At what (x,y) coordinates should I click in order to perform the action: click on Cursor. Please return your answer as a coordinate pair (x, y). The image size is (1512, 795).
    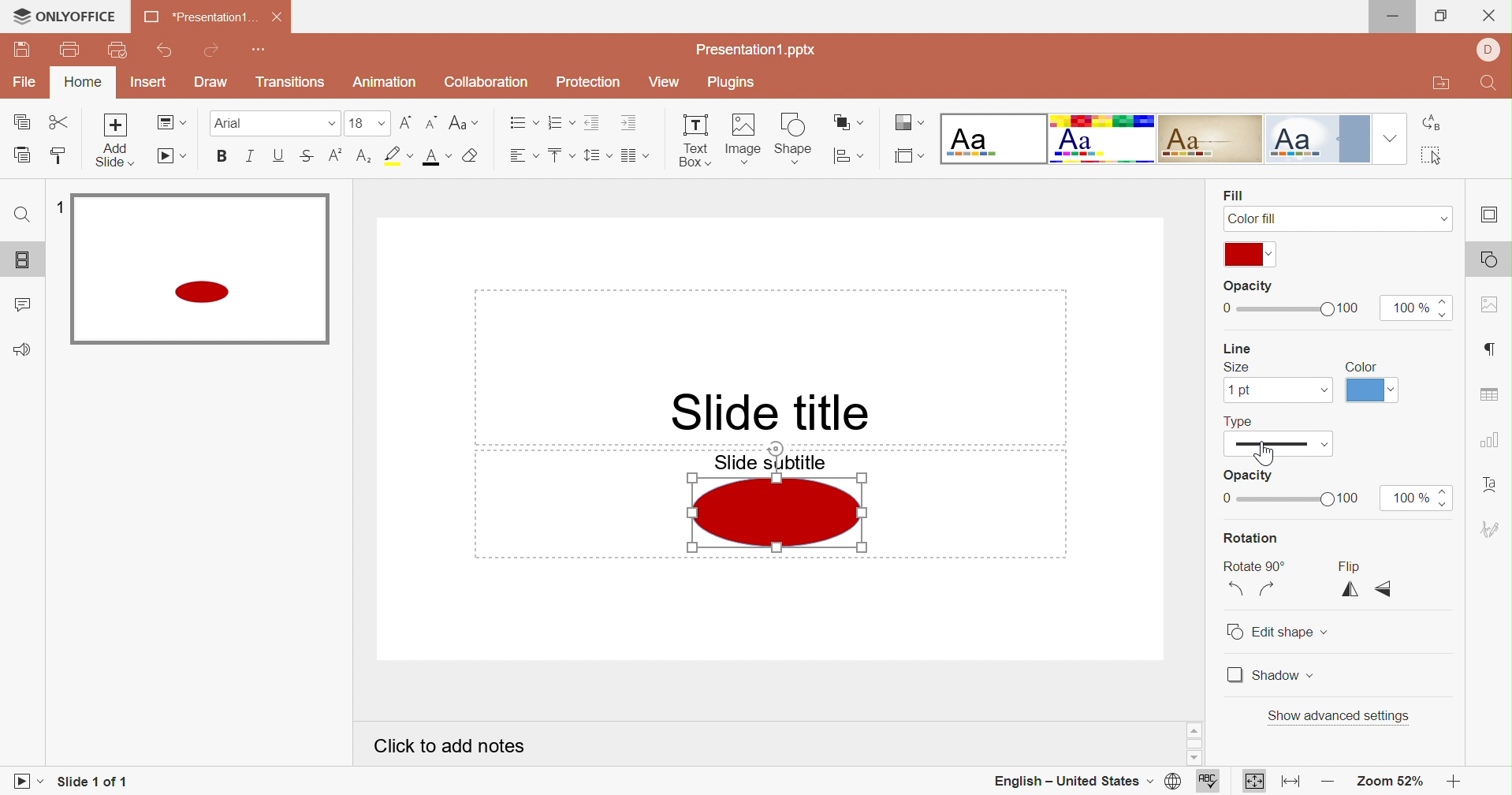
    Looking at the image, I should click on (1284, 261).